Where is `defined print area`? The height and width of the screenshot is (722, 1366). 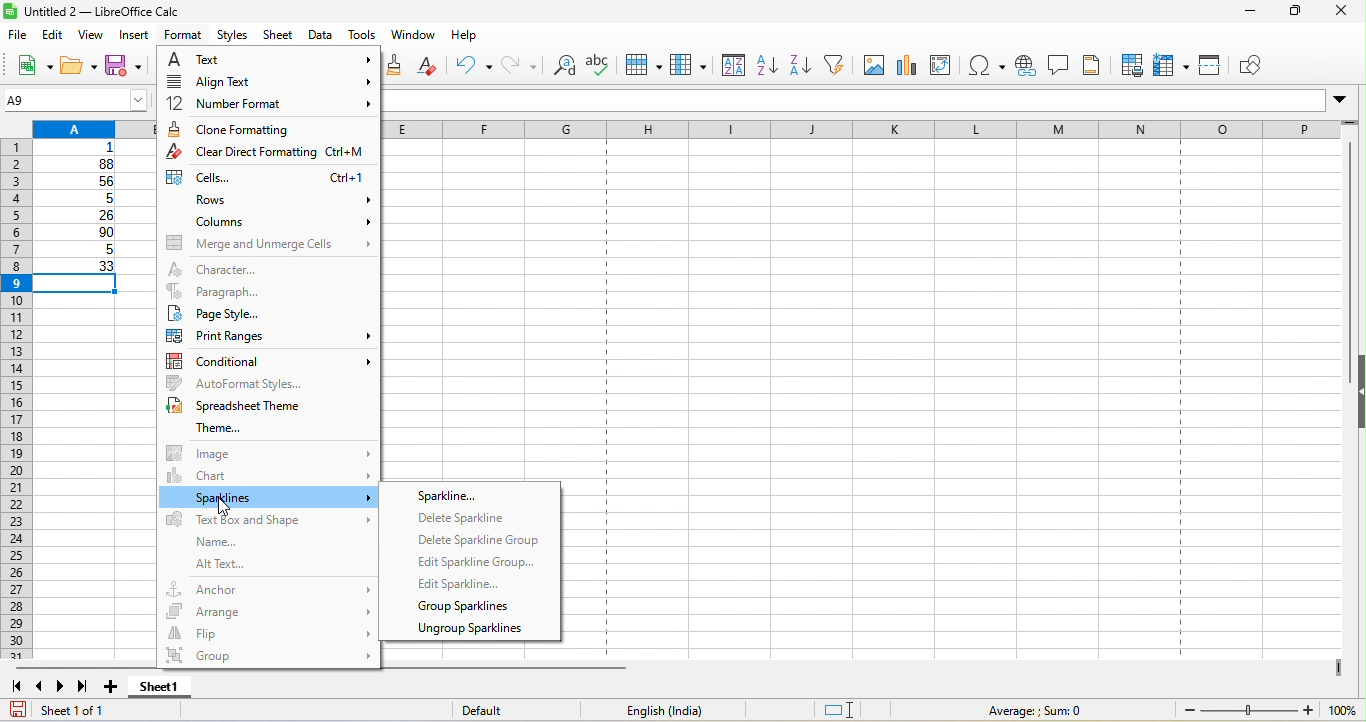 defined print area is located at coordinates (1130, 65).